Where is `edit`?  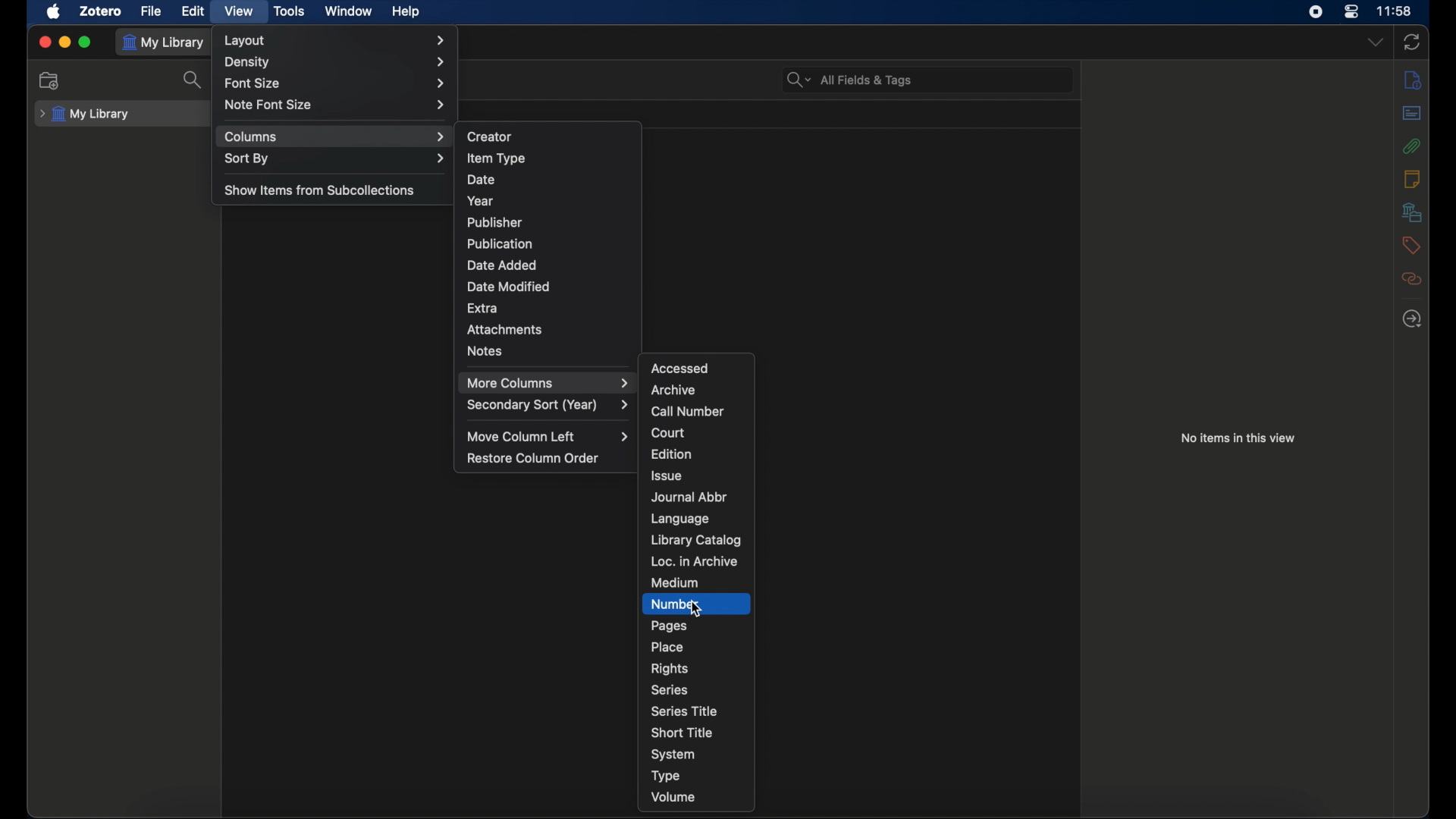
edit is located at coordinates (195, 11).